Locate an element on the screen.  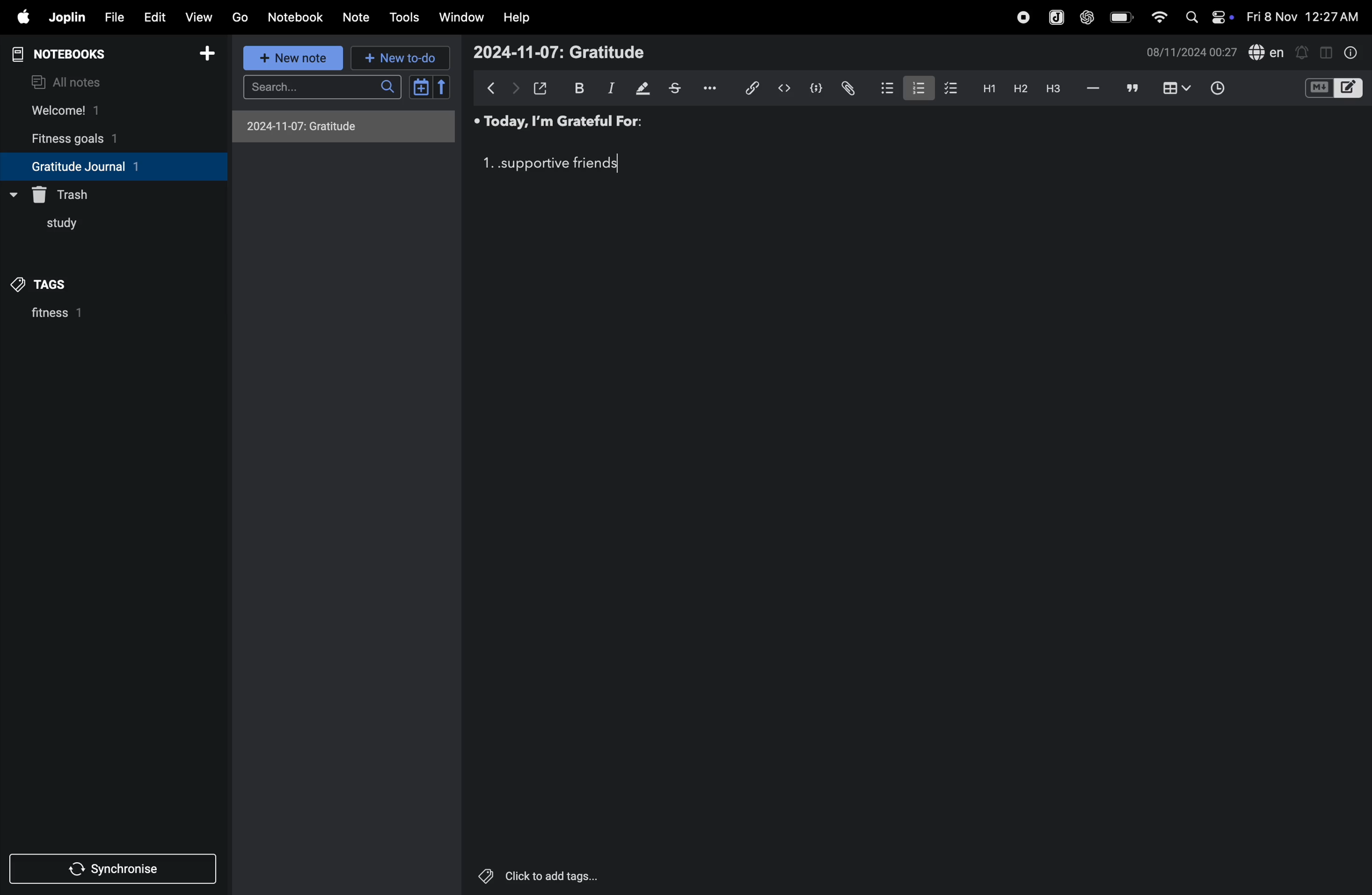
toogle editor is located at coordinates (1334, 90).